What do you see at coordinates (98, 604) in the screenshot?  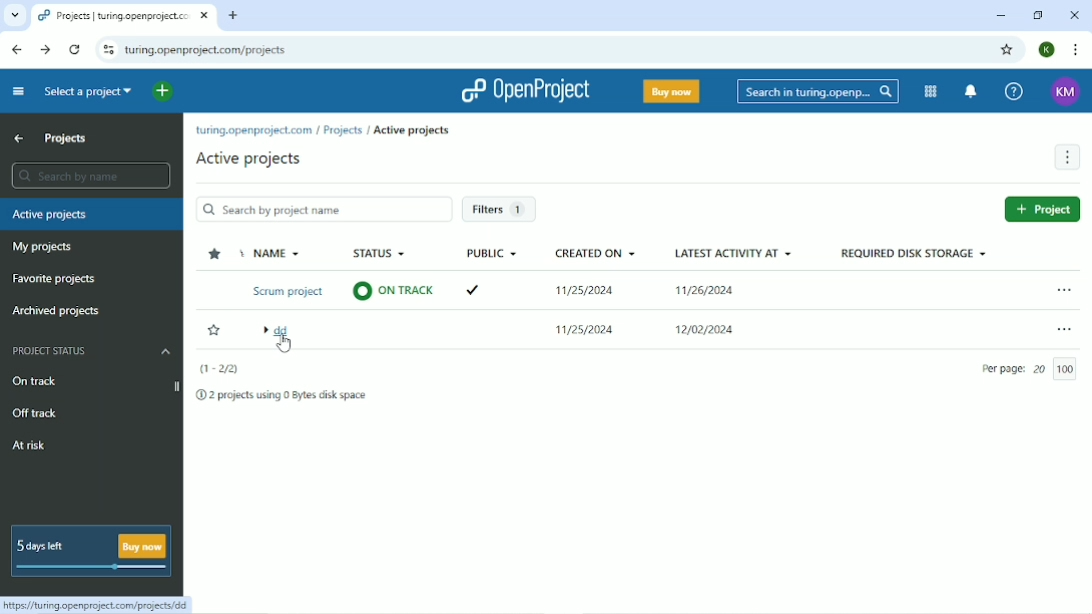 I see `https://turing.openproject.com/projects/dd` at bounding box center [98, 604].